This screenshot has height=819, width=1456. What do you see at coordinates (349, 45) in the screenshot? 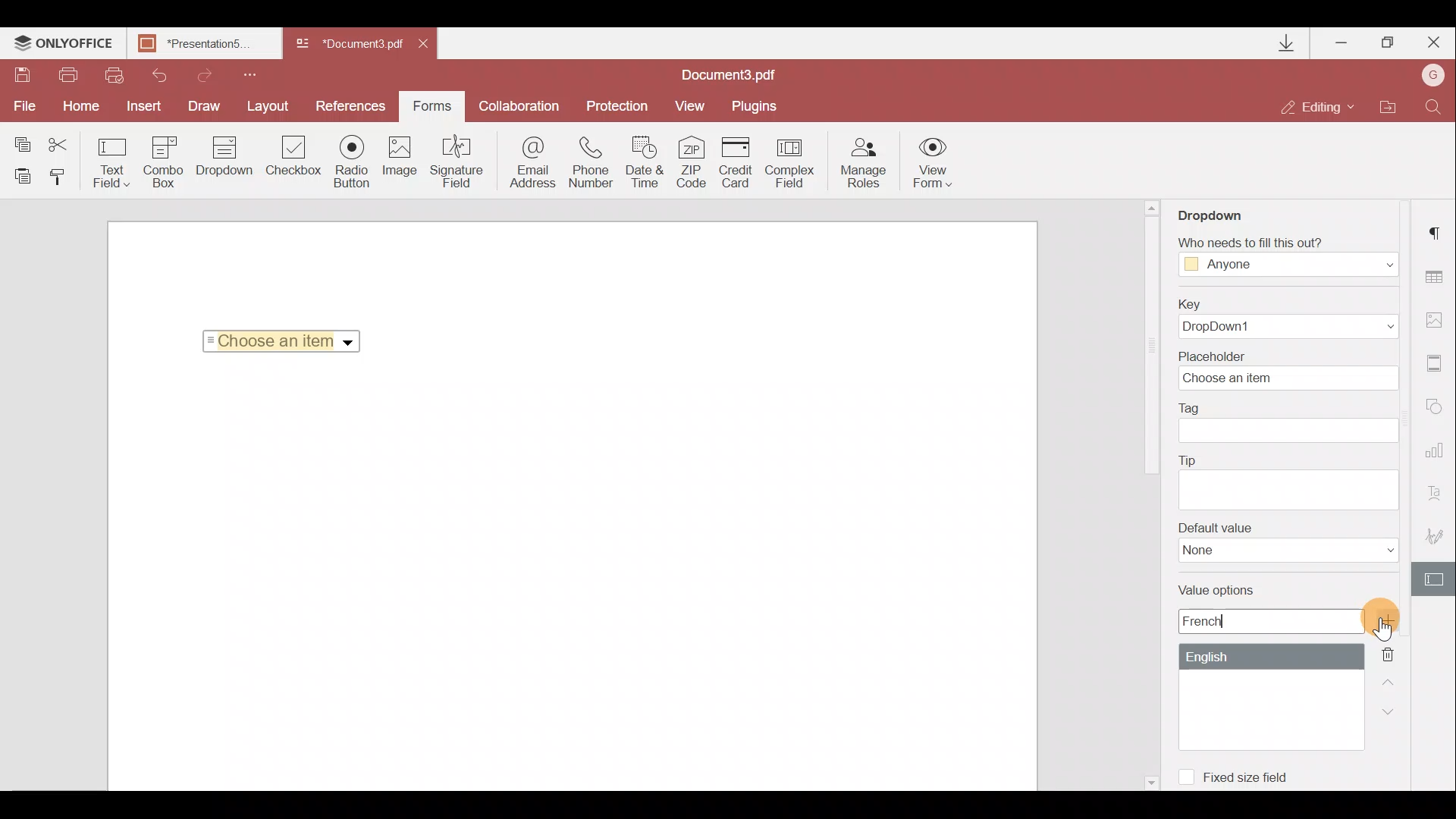
I see `Document3.pdf` at bounding box center [349, 45].